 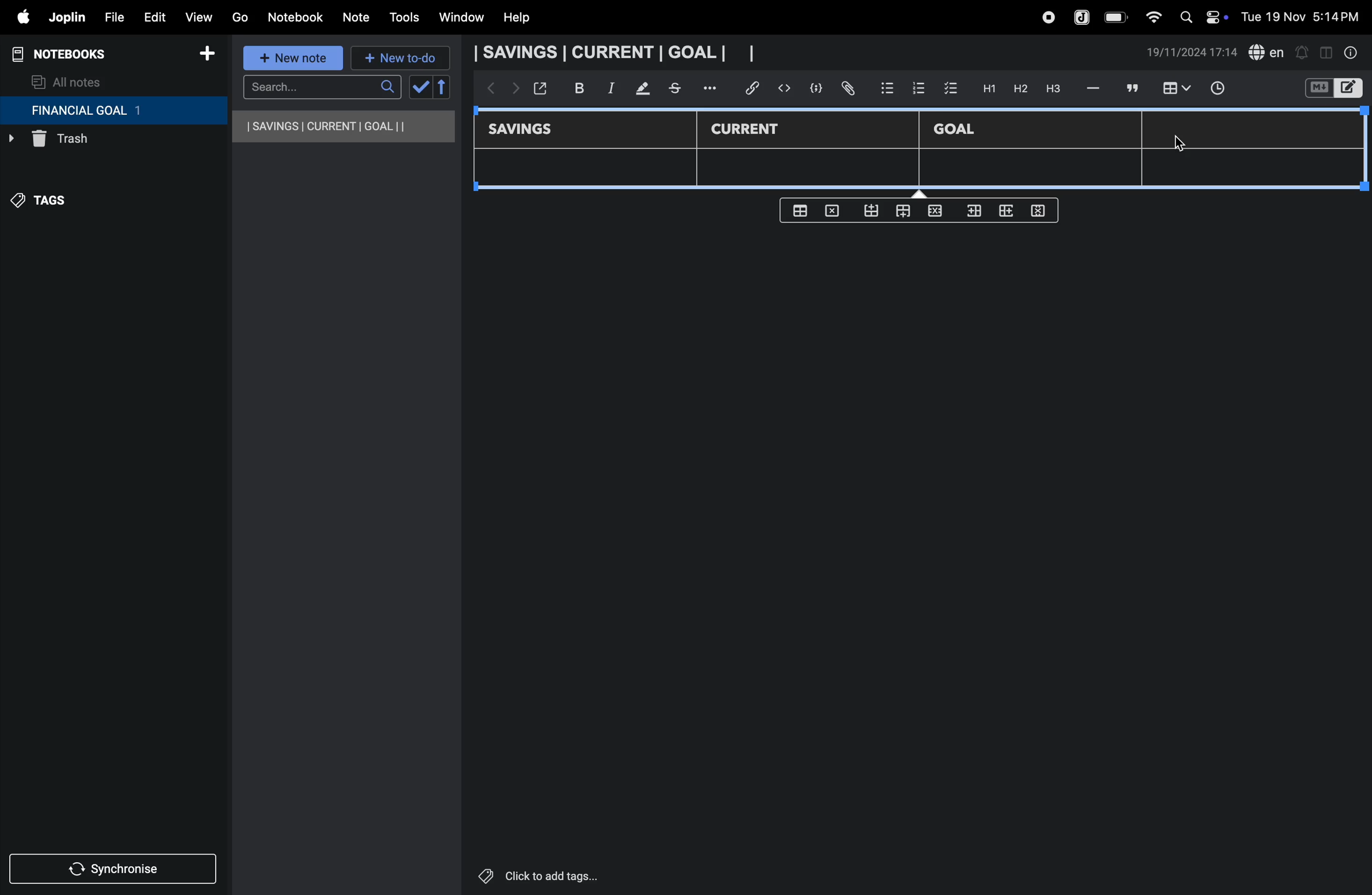 I want to click on current, so click(x=753, y=130).